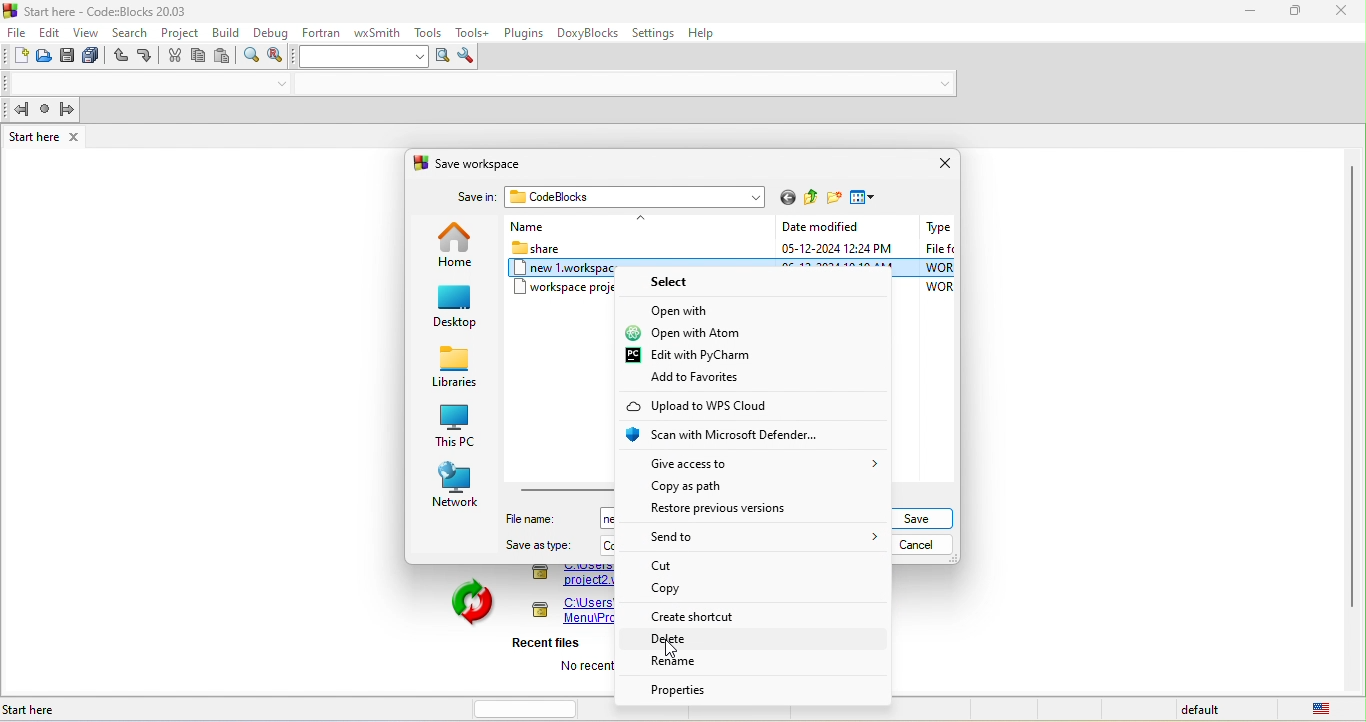  What do you see at coordinates (539, 546) in the screenshot?
I see `save as type` at bounding box center [539, 546].